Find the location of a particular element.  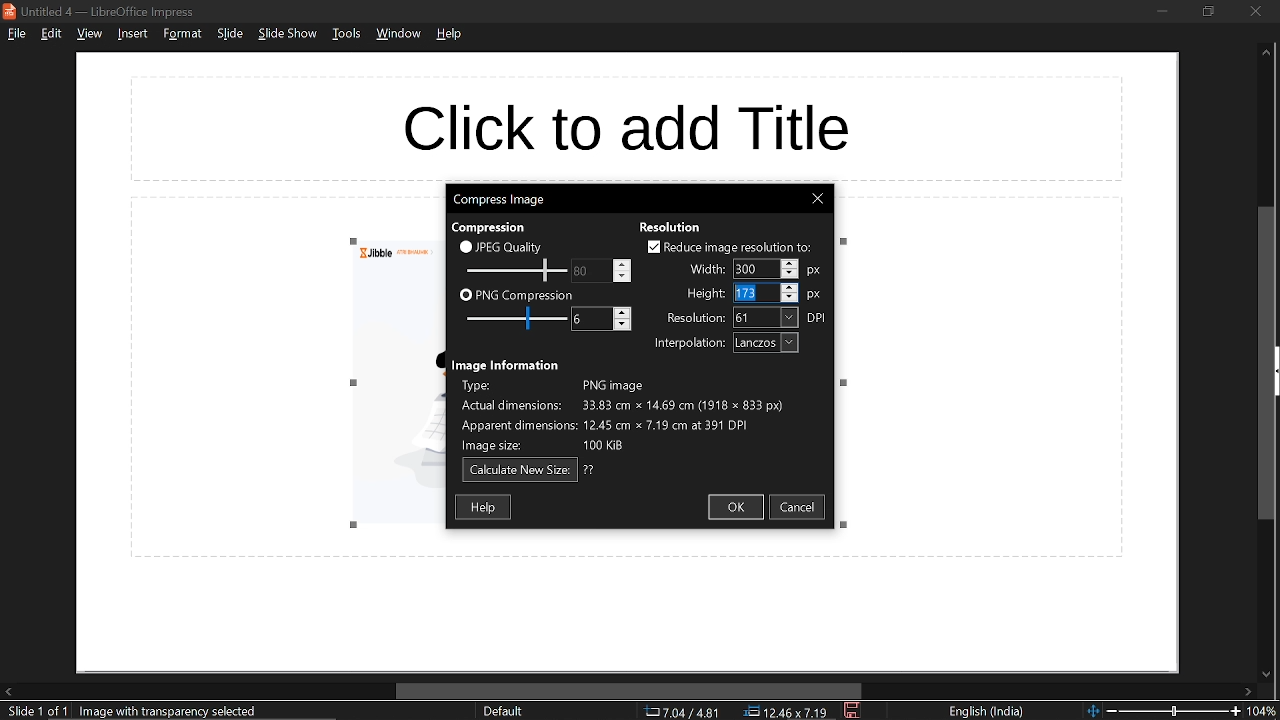

window is located at coordinates (397, 36).